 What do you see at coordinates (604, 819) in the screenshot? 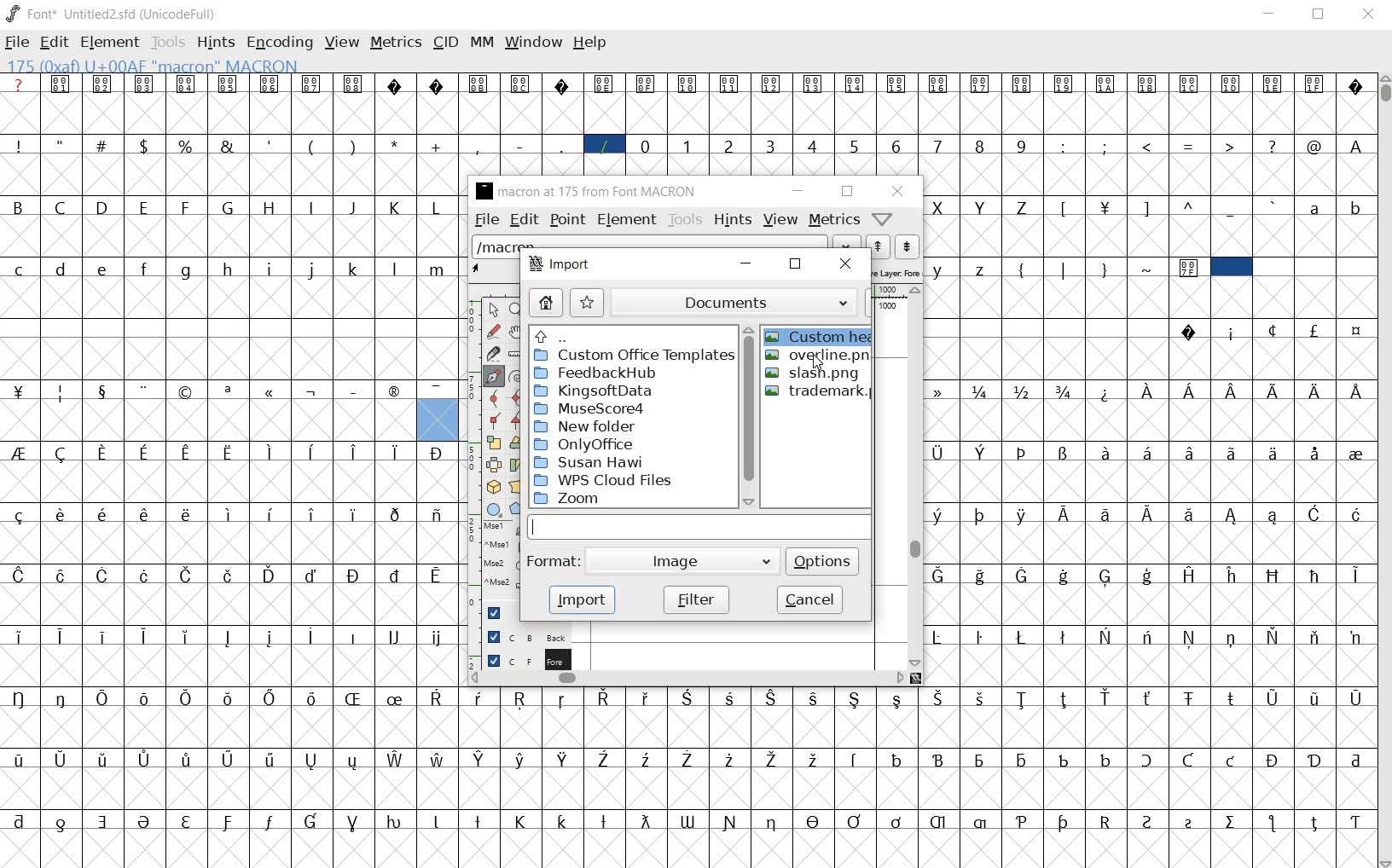
I see `Symbol` at bounding box center [604, 819].